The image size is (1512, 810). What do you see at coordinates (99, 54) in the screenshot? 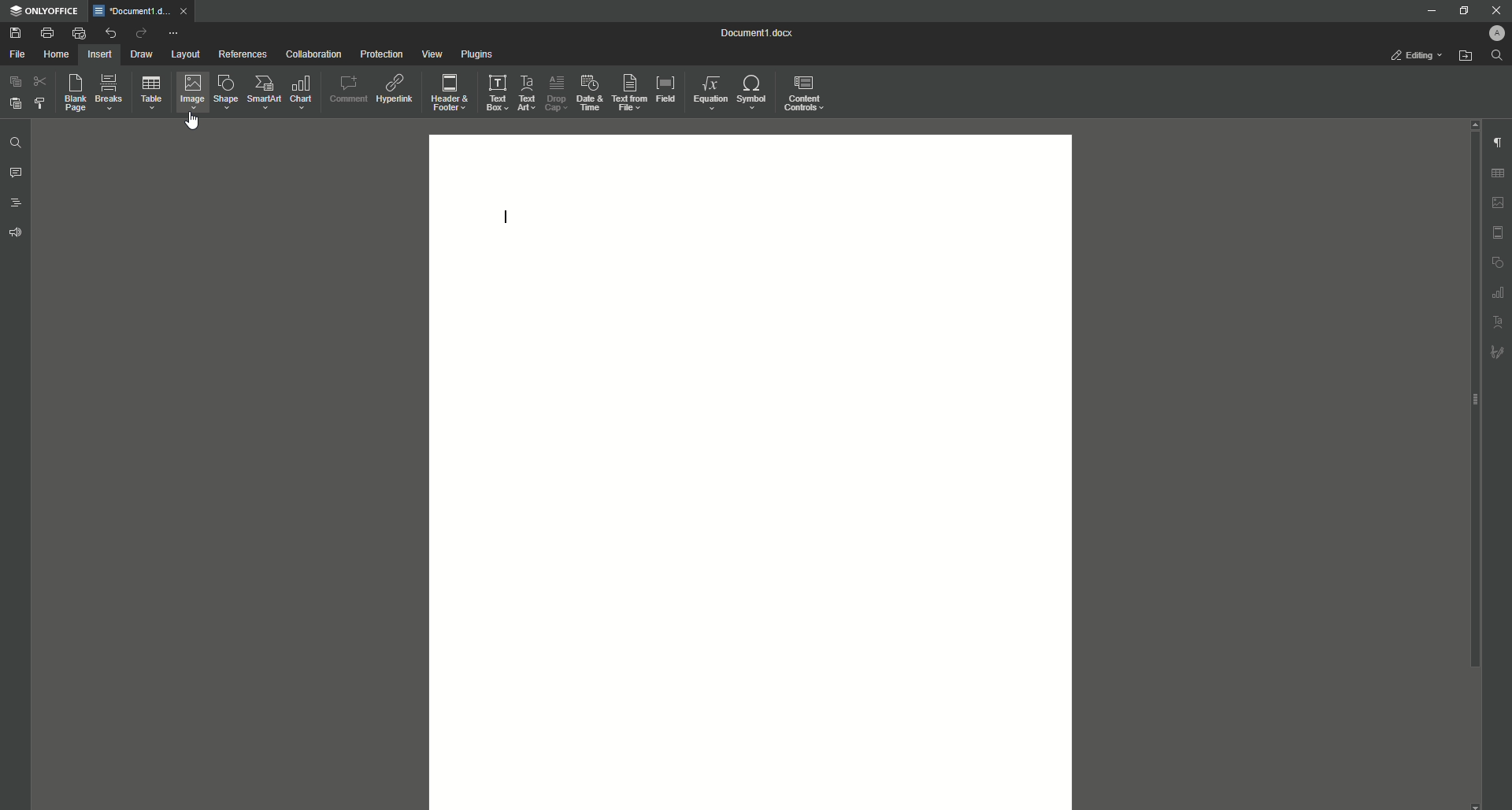
I see `Insert` at bounding box center [99, 54].